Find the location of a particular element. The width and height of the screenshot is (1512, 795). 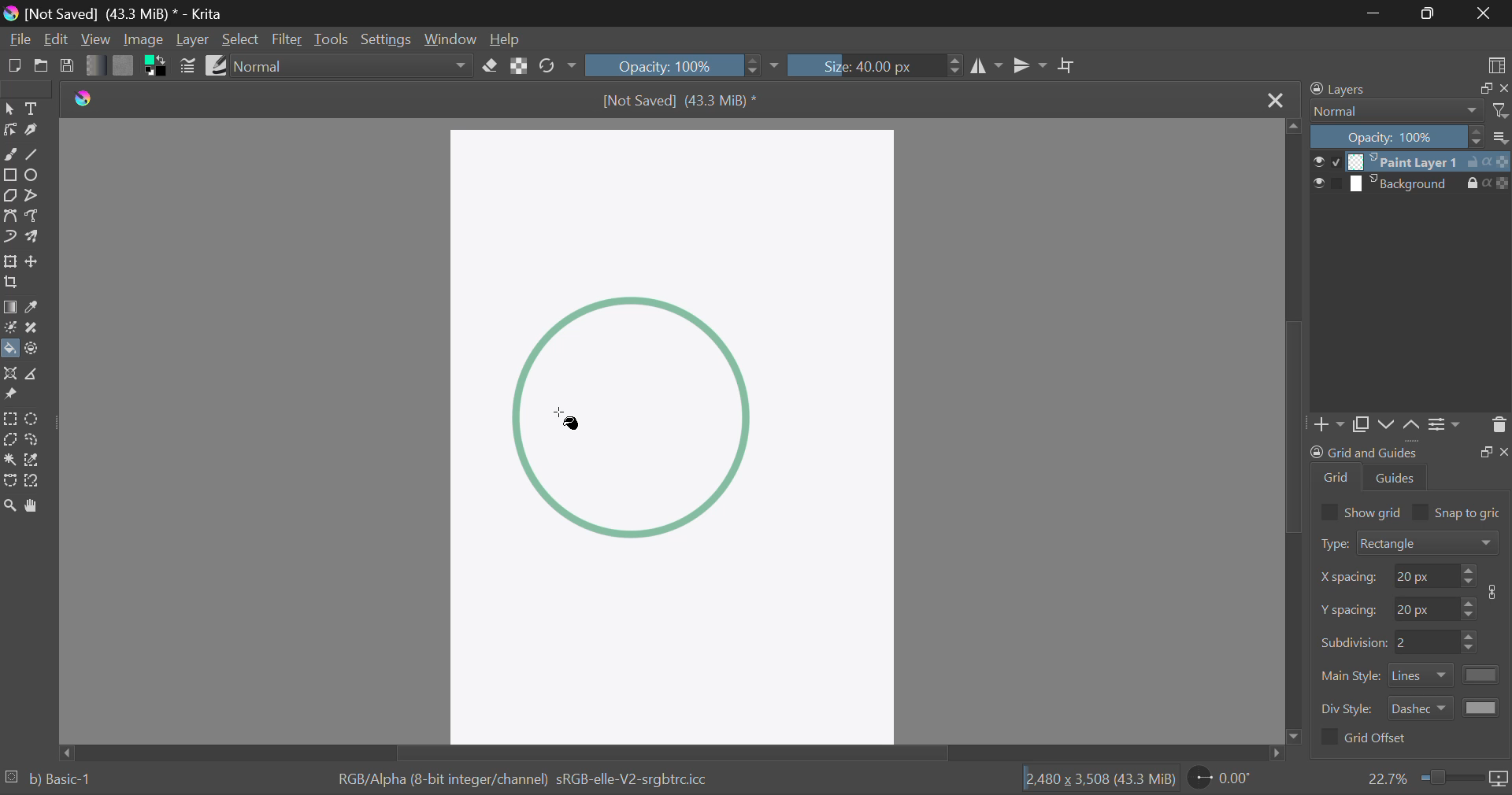

Movement of Layers is located at coordinates (1402, 426).